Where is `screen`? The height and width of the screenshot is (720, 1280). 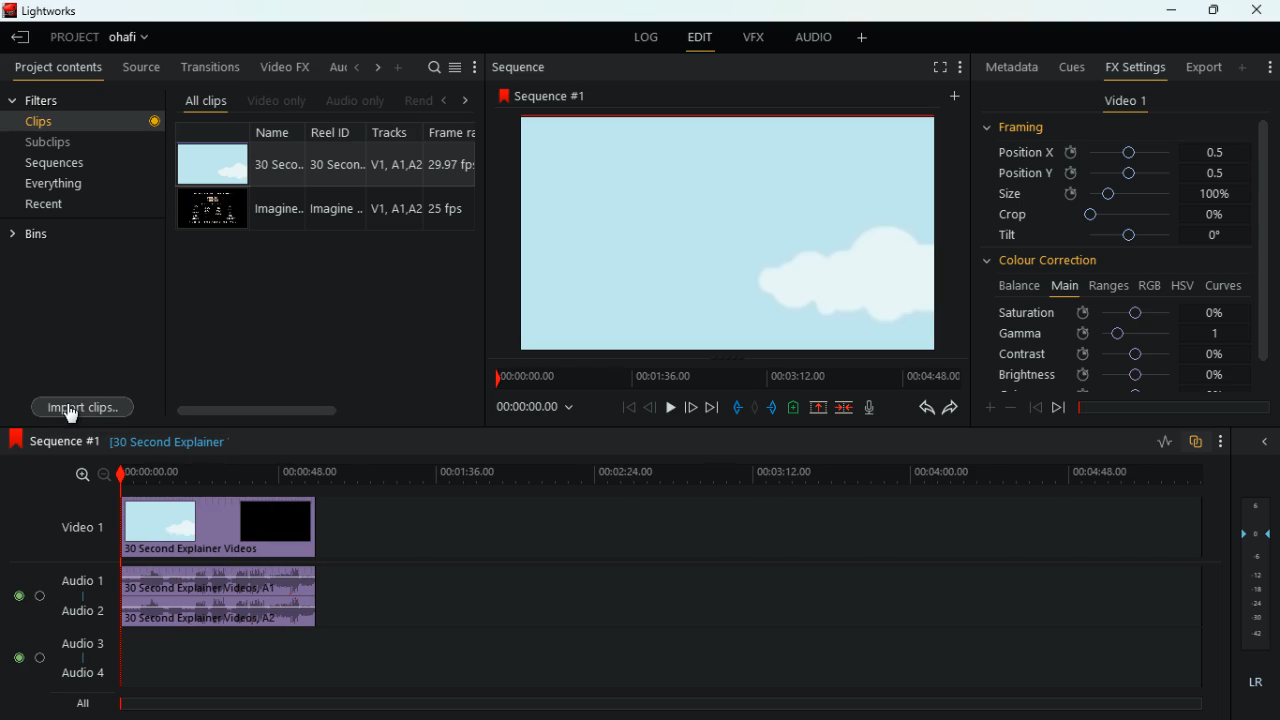
screen is located at coordinates (935, 67).